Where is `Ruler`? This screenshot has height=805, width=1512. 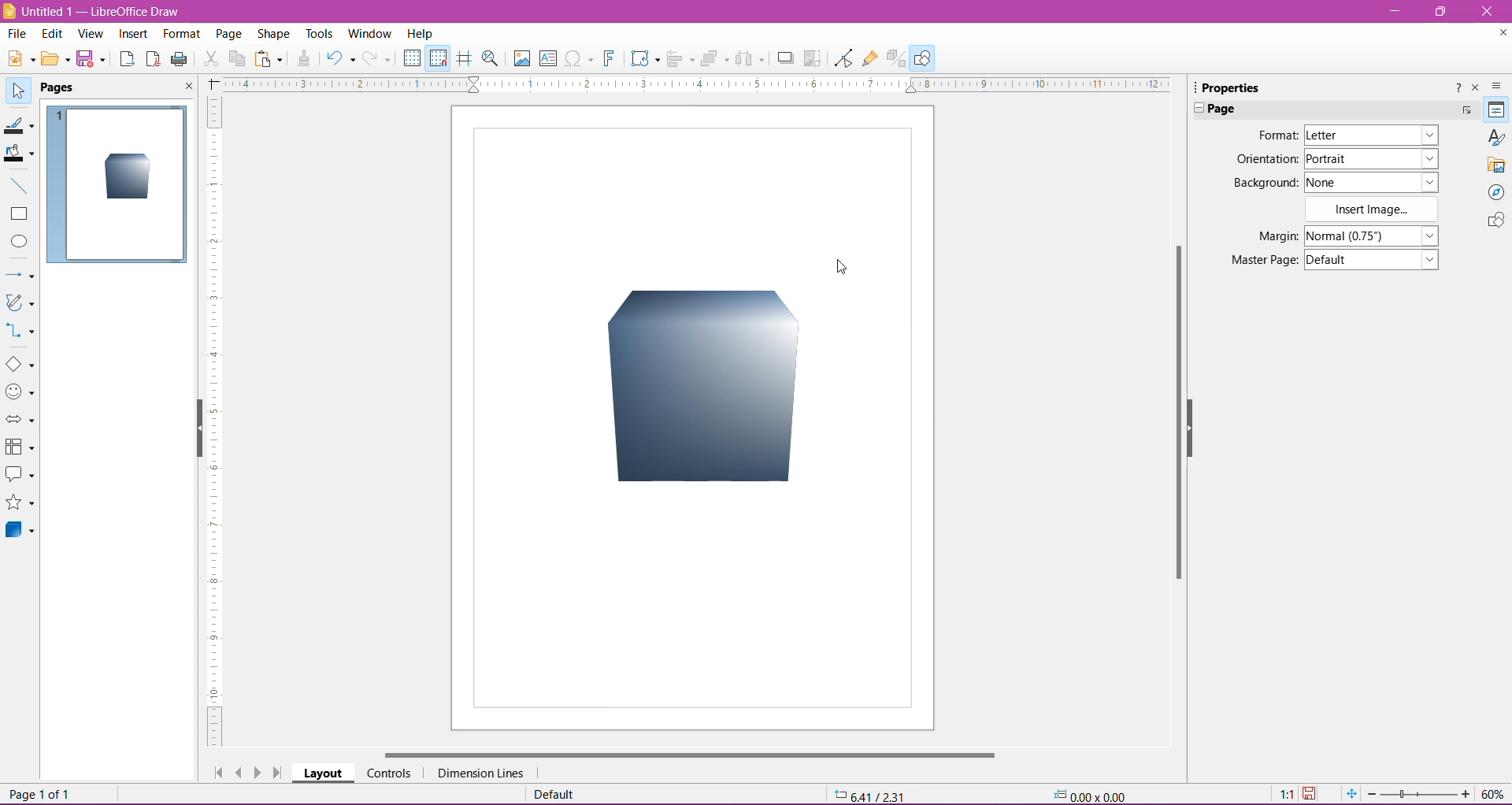
Ruler is located at coordinates (213, 423).